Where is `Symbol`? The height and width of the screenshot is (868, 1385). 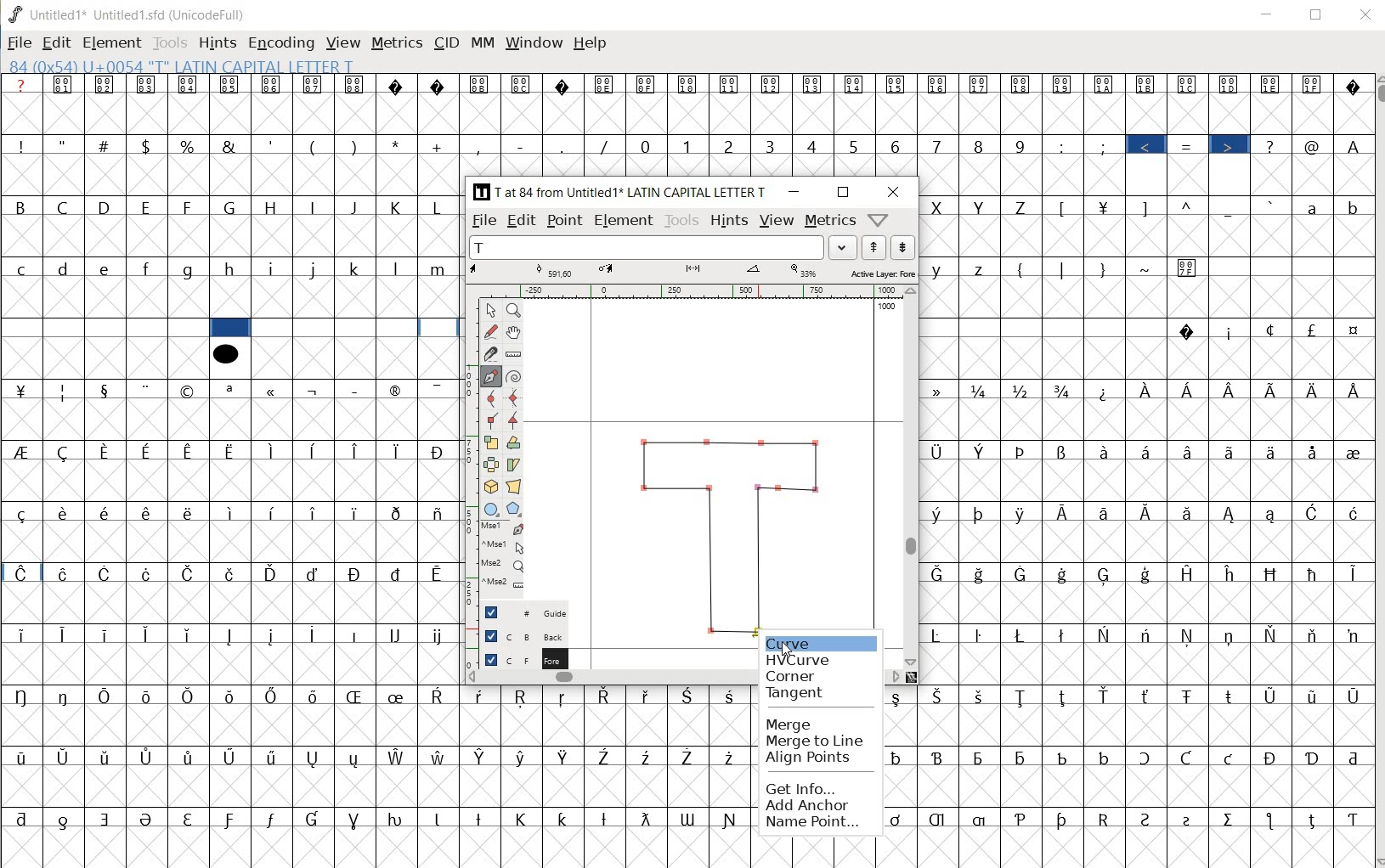 Symbol is located at coordinates (150, 450).